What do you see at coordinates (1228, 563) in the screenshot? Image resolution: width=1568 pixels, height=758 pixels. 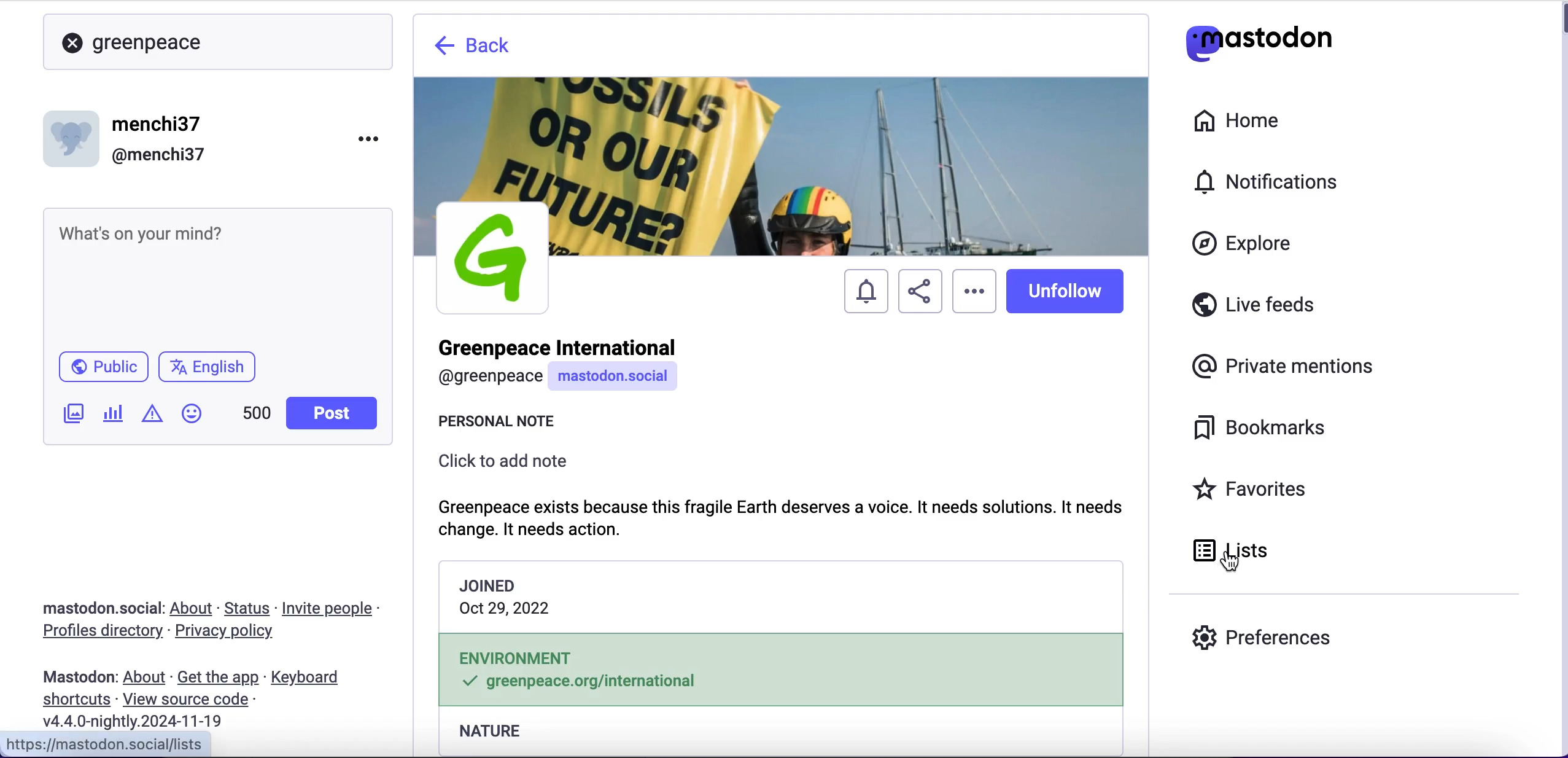 I see `cursor` at bounding box center [1228, 563].